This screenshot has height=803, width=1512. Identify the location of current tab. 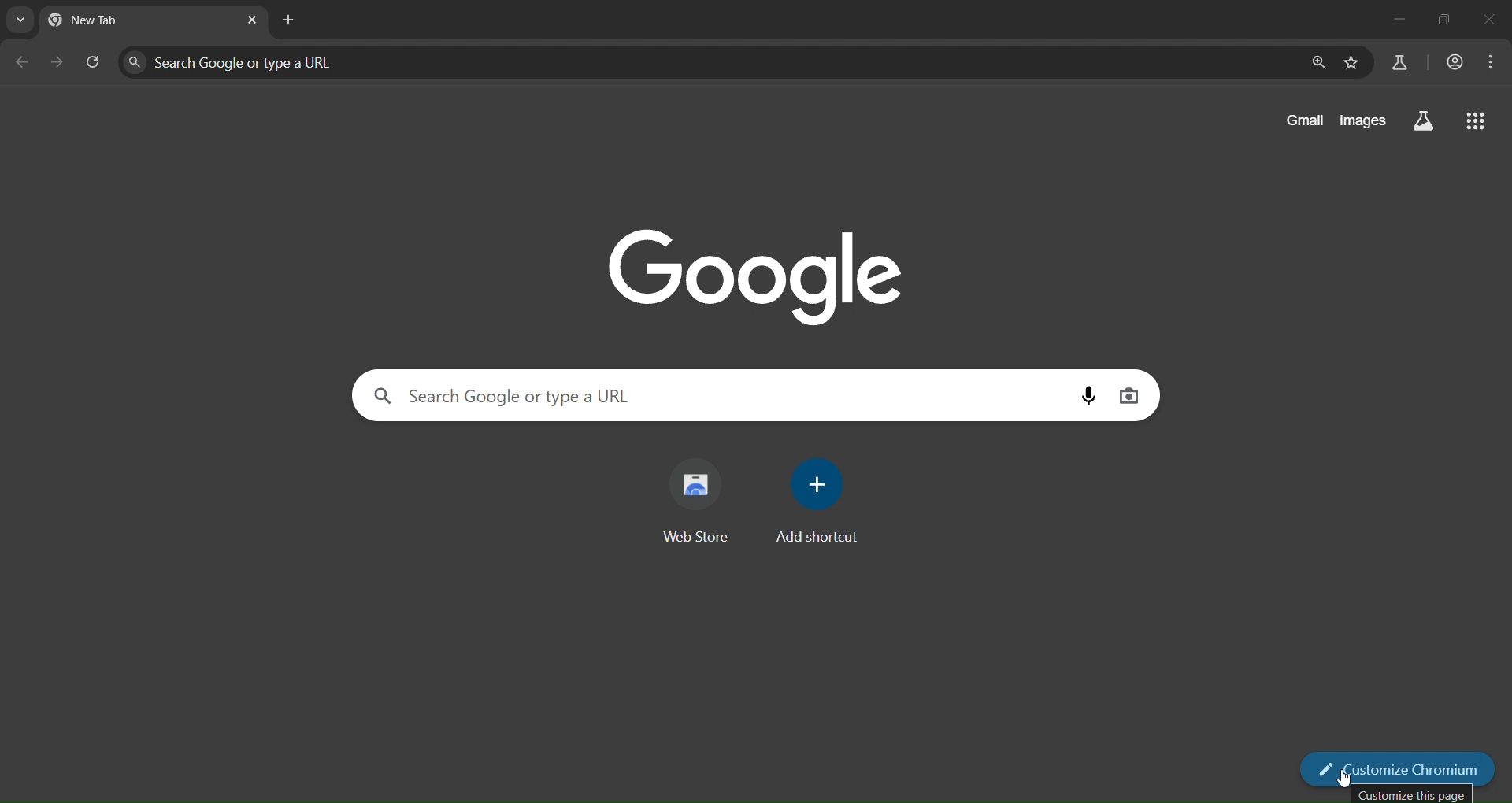
(105, 23).